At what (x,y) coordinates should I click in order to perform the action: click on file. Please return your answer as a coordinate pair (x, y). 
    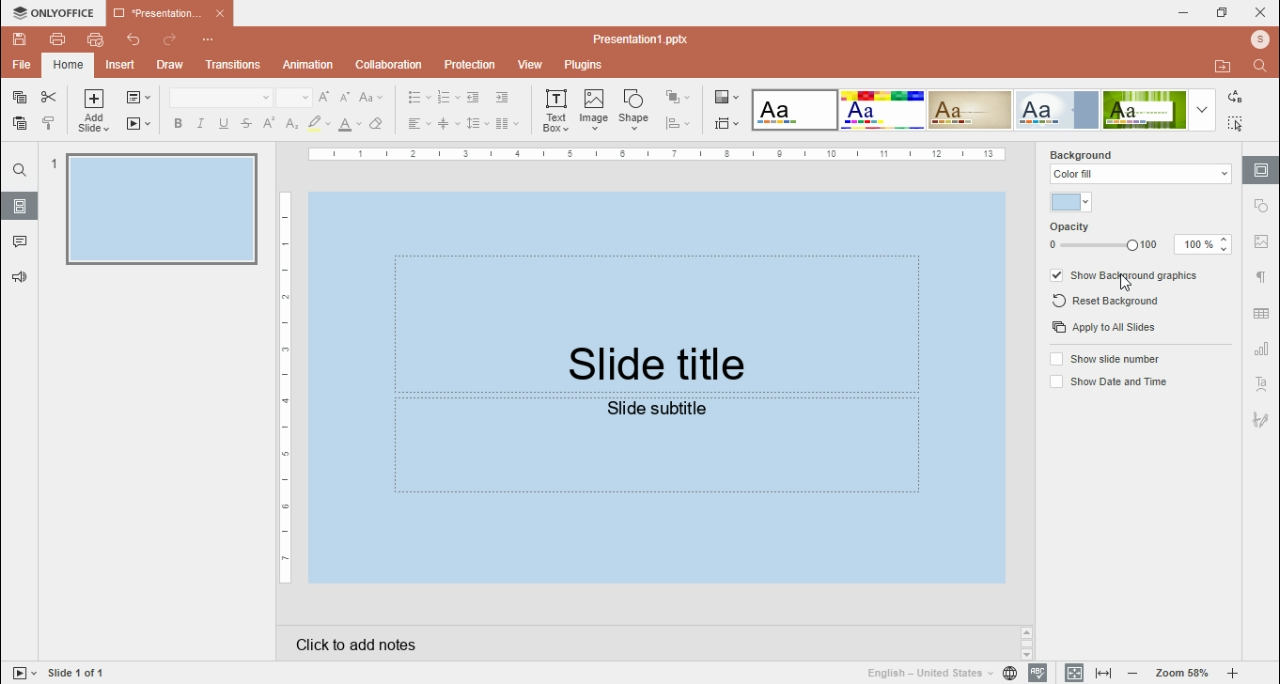
    Looking at the image, I should click on (21, 65).